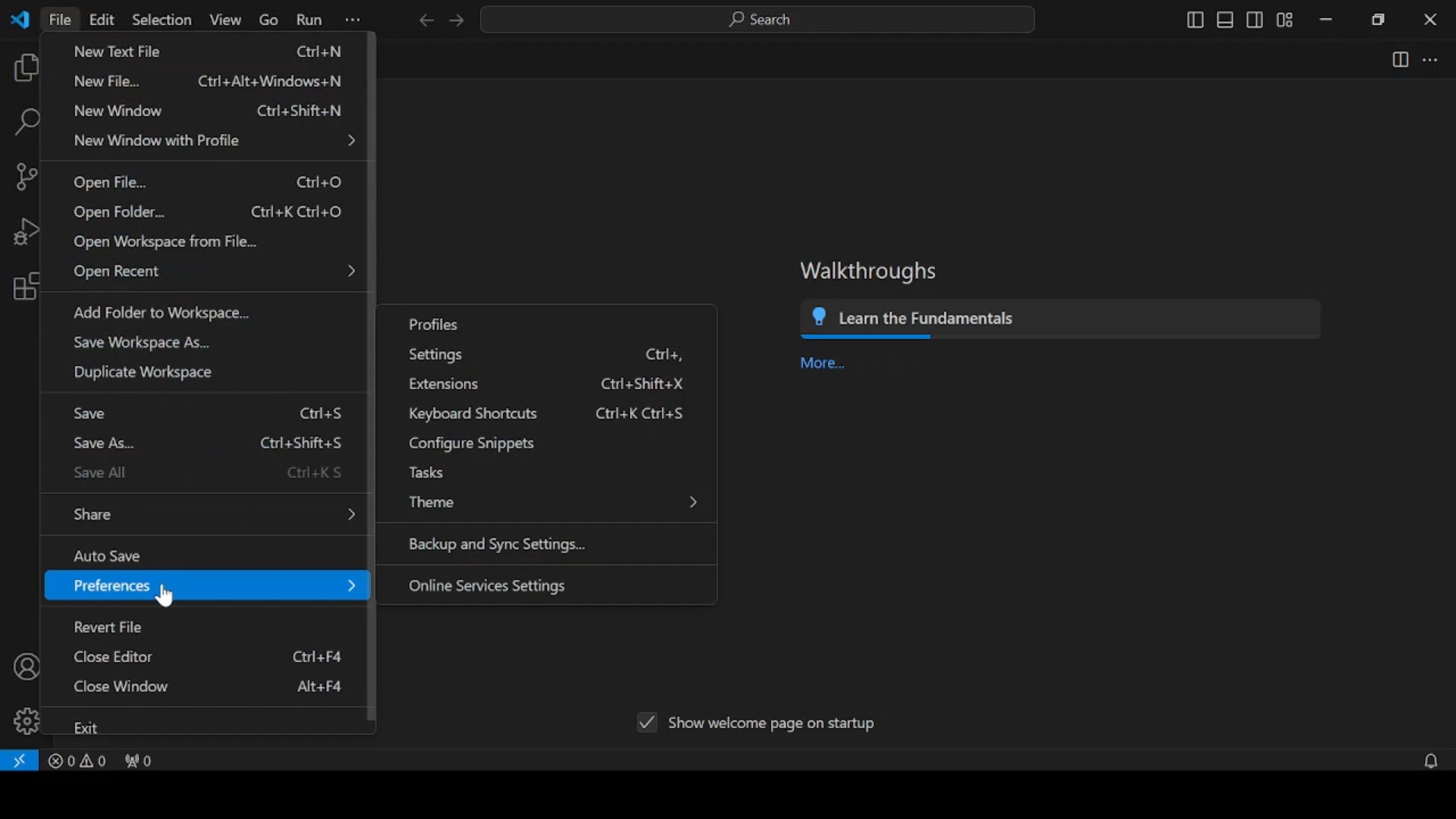 This screenshot has width=1456, height=819. I want to click on ctrl+shift+X, so click(643, 384).